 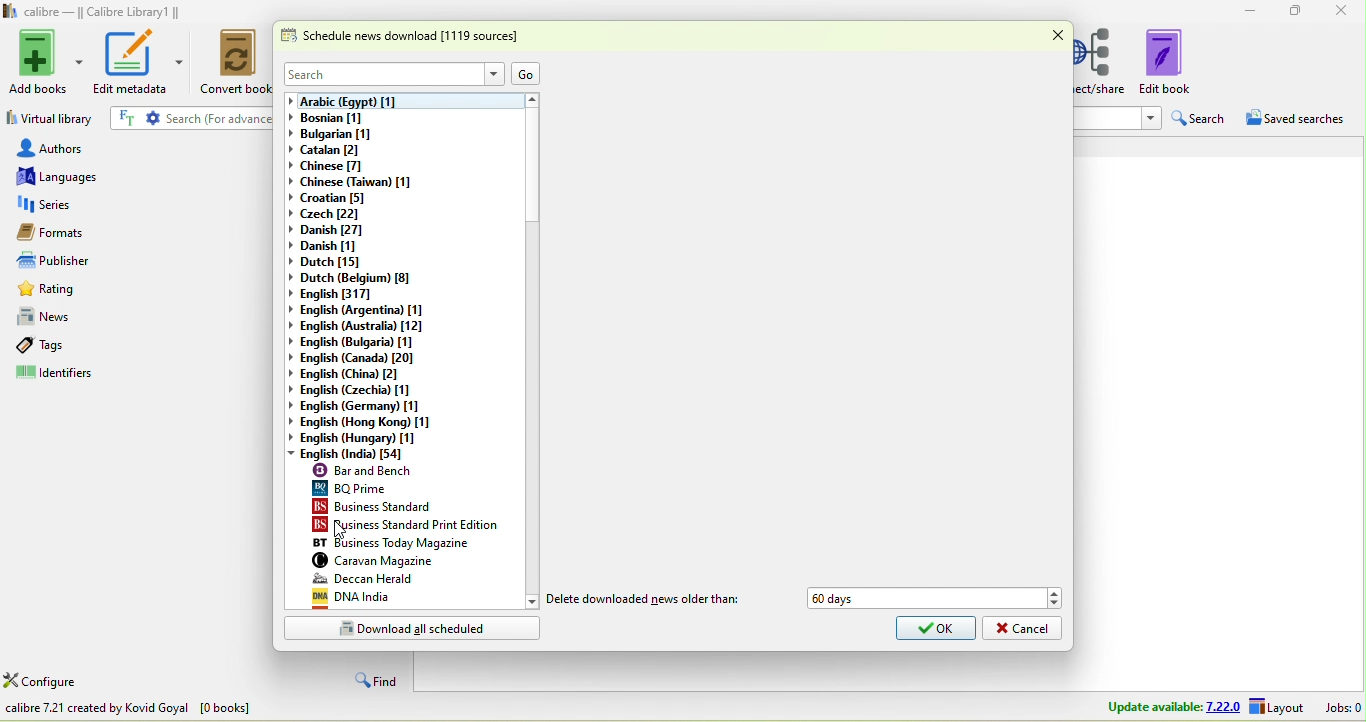 What do you see at coordinates (363, 375) in the screenshot?
I see `english (china)[2]` at bounding box center [363, 375].